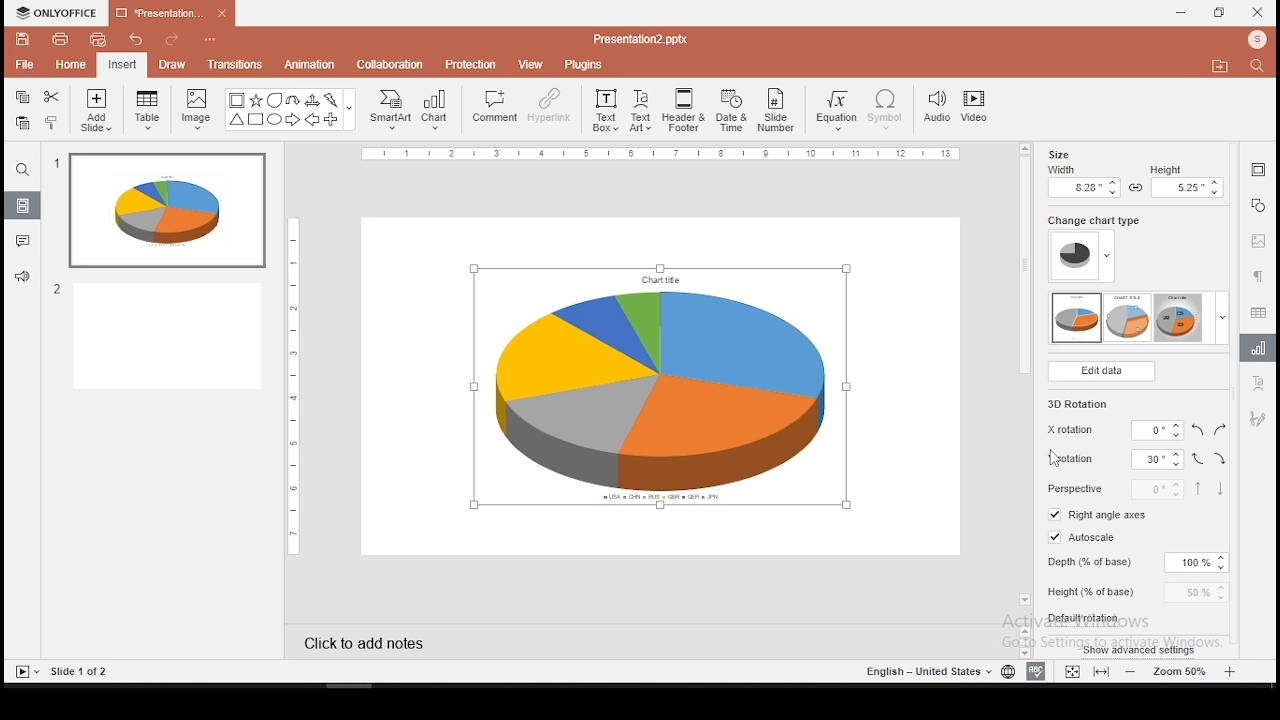 The width and height of the screenshot is (1280, 720). I want to click on style 1, so click(1077, 318).